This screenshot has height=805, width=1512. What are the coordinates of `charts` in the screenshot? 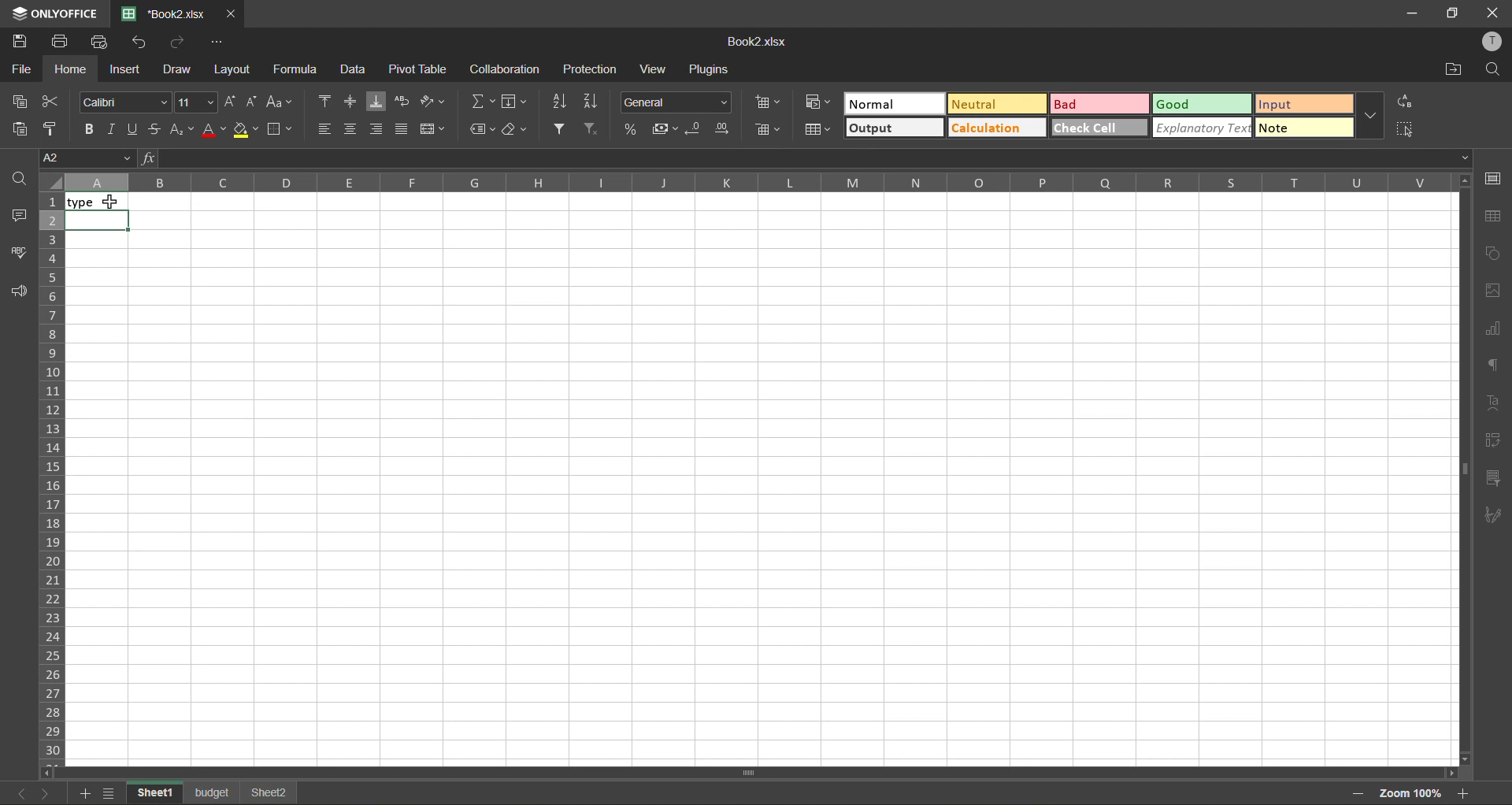 It's located at (1493, 328).